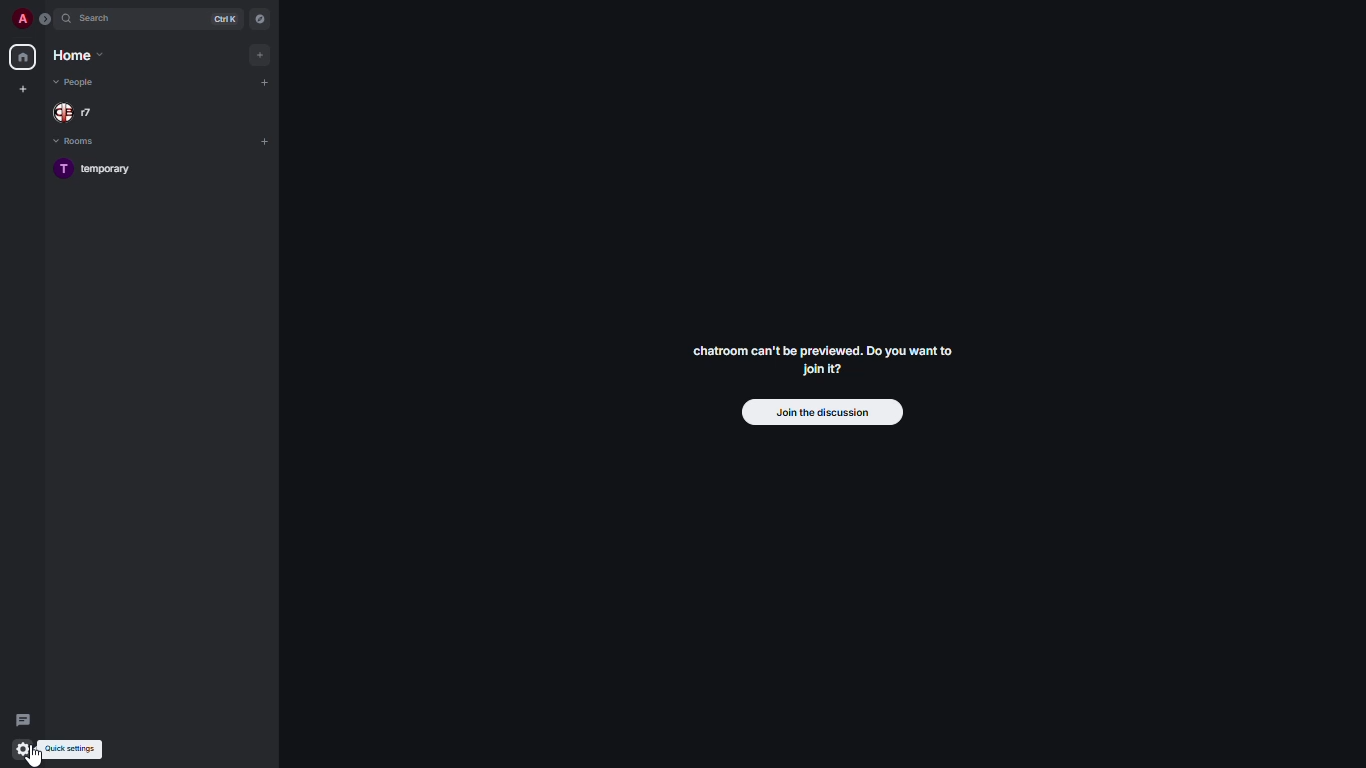 The width and height of the screenshot is (1366, 768). I want to click on quick settings, so click(74, 750).